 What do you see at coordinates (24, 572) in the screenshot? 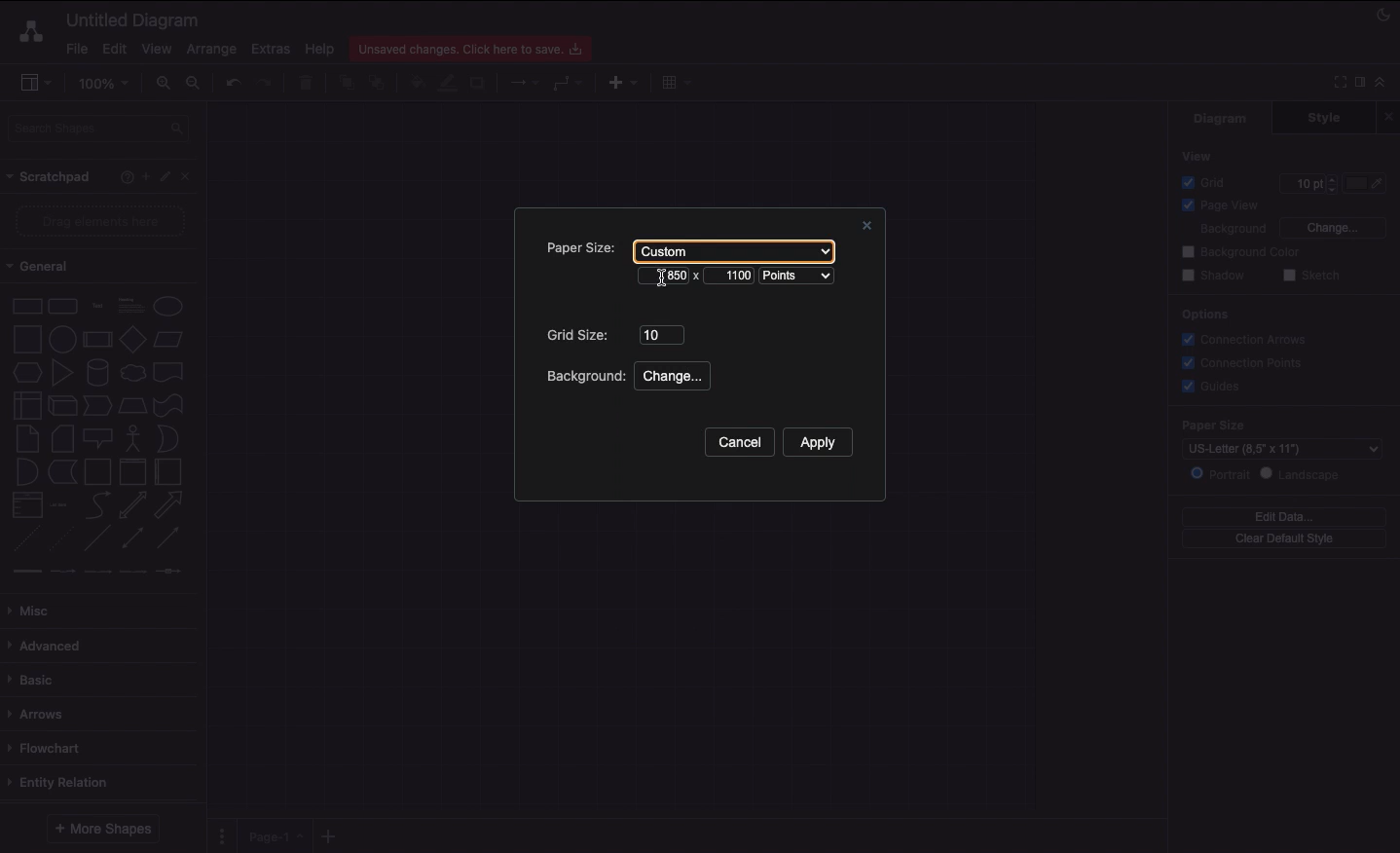
I see `connector 1` at bounding box center [24, 572].